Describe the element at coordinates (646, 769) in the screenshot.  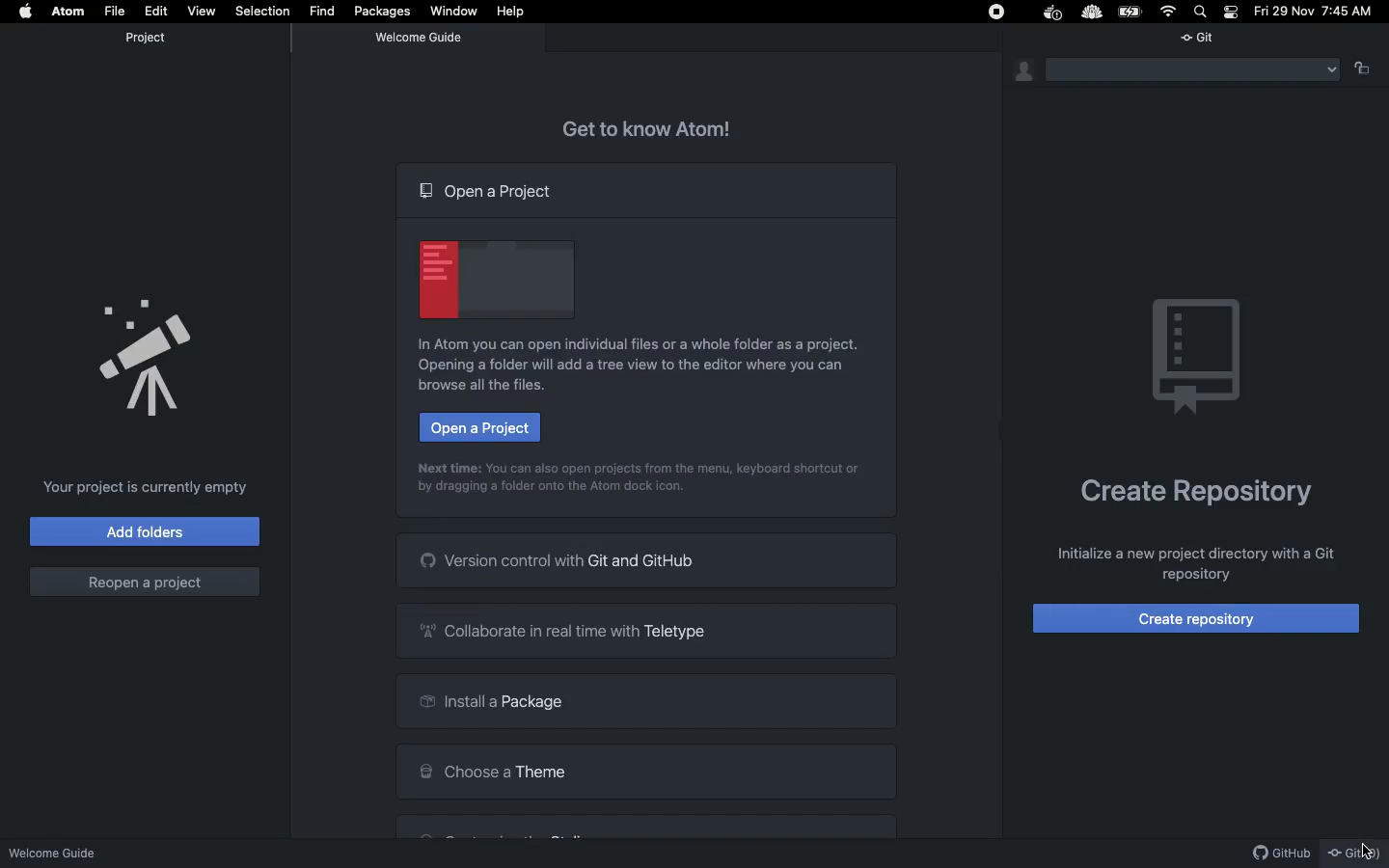
I see `Choose a theme` at that location.